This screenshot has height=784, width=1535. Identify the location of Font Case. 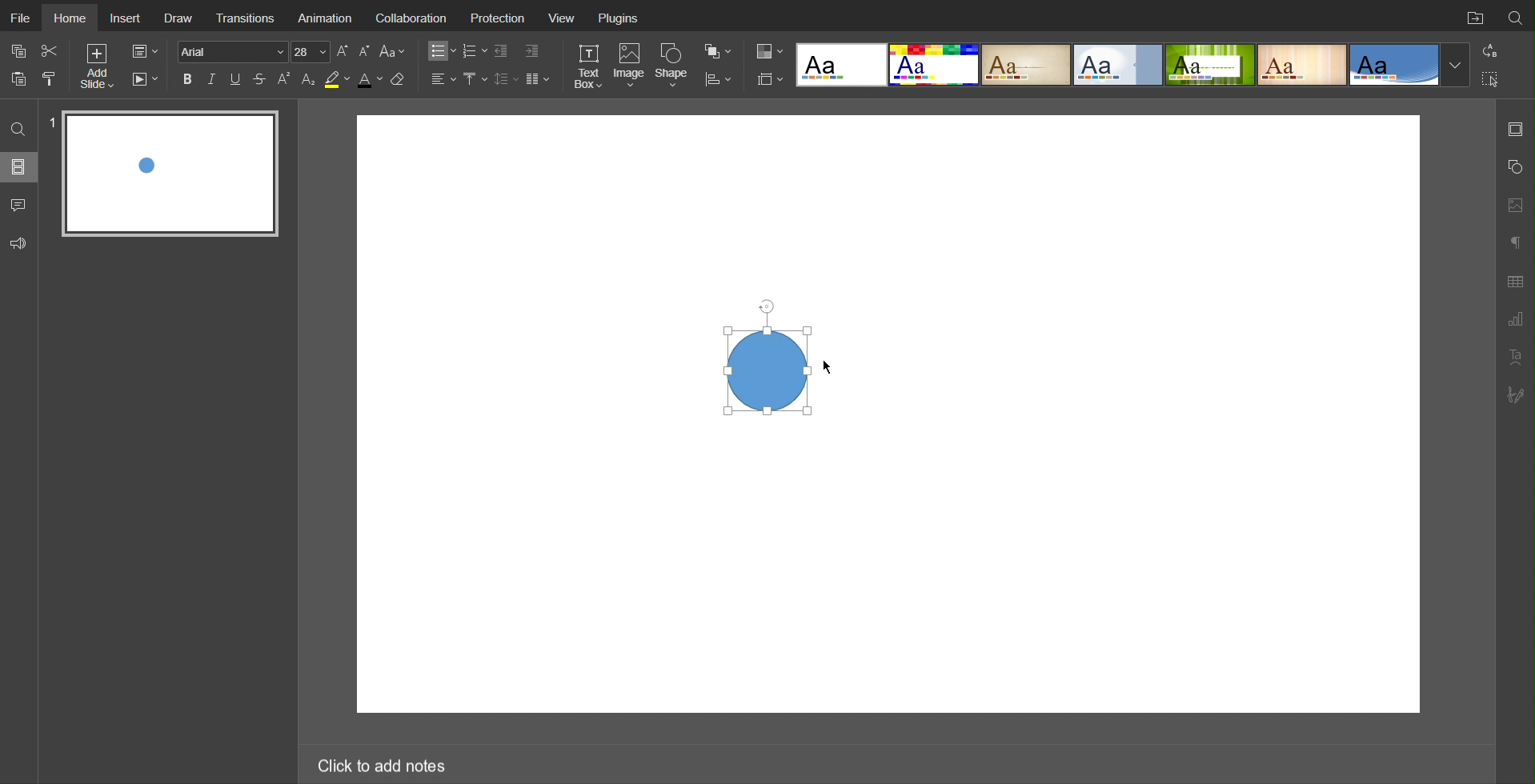
(394, 51).